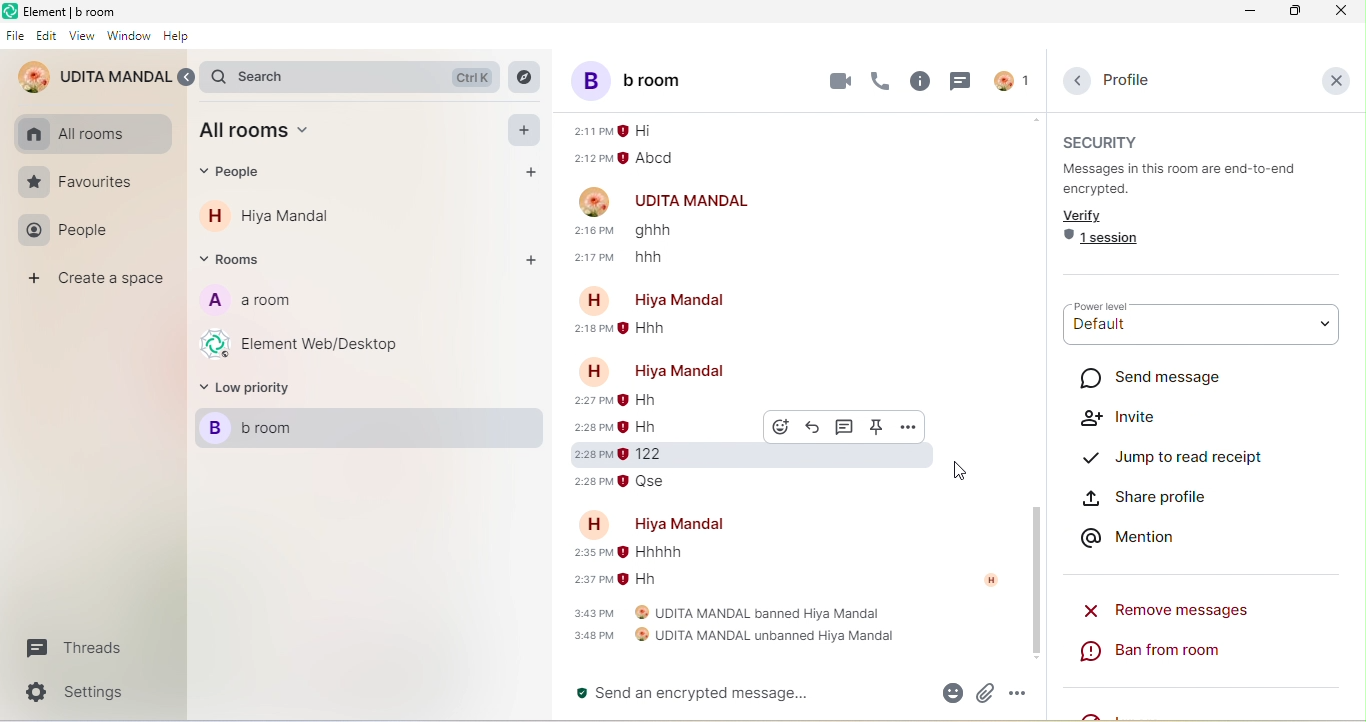  What do you see at coordinates (1034, 118) in the screenshot?
I see `scroll up` at bounding box center [1034, 118].